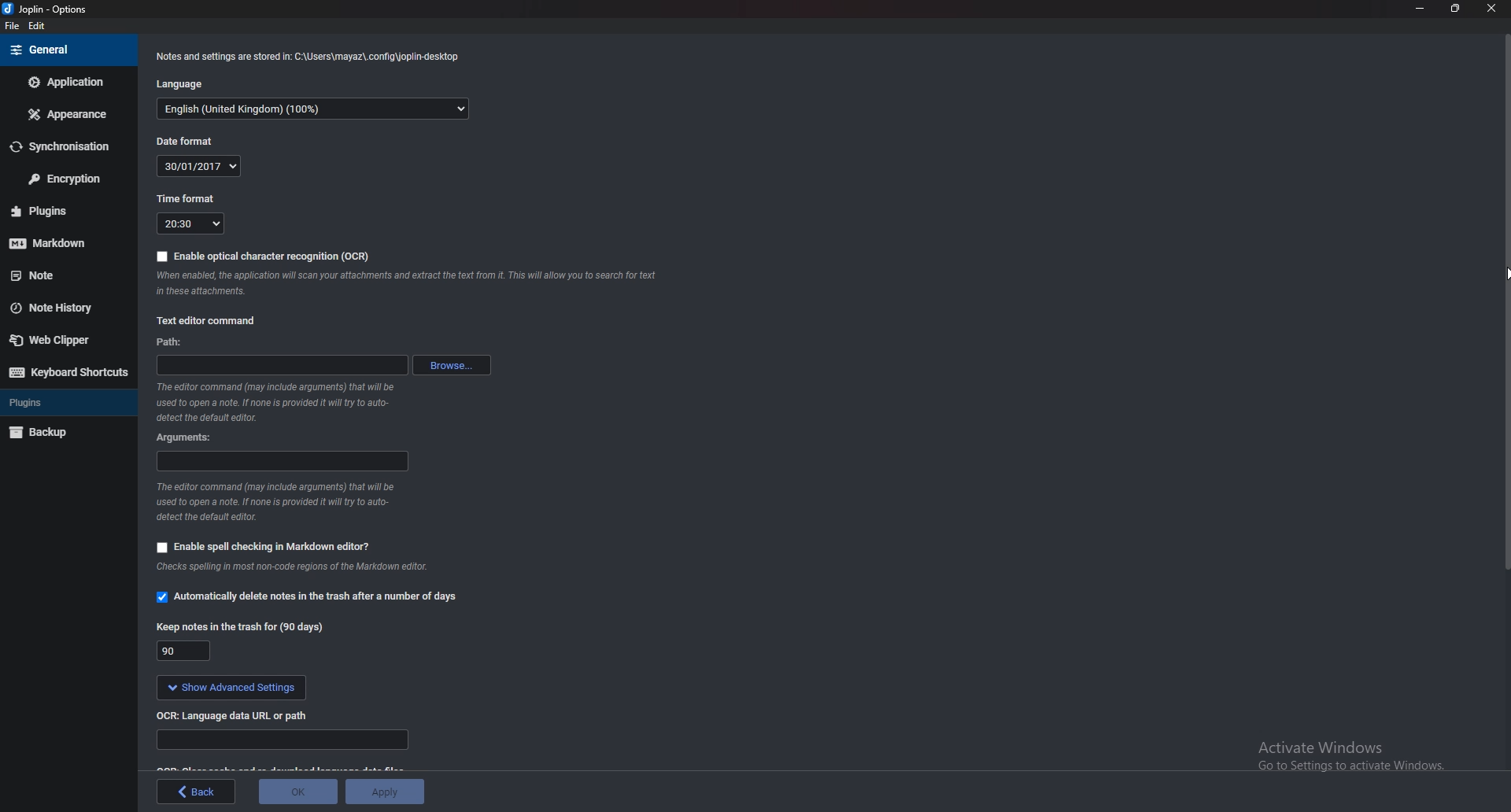 The image size is (1511, 812). Describe the element at coordinates (187, 142) in the screenshot. I see `Date format` at that location.